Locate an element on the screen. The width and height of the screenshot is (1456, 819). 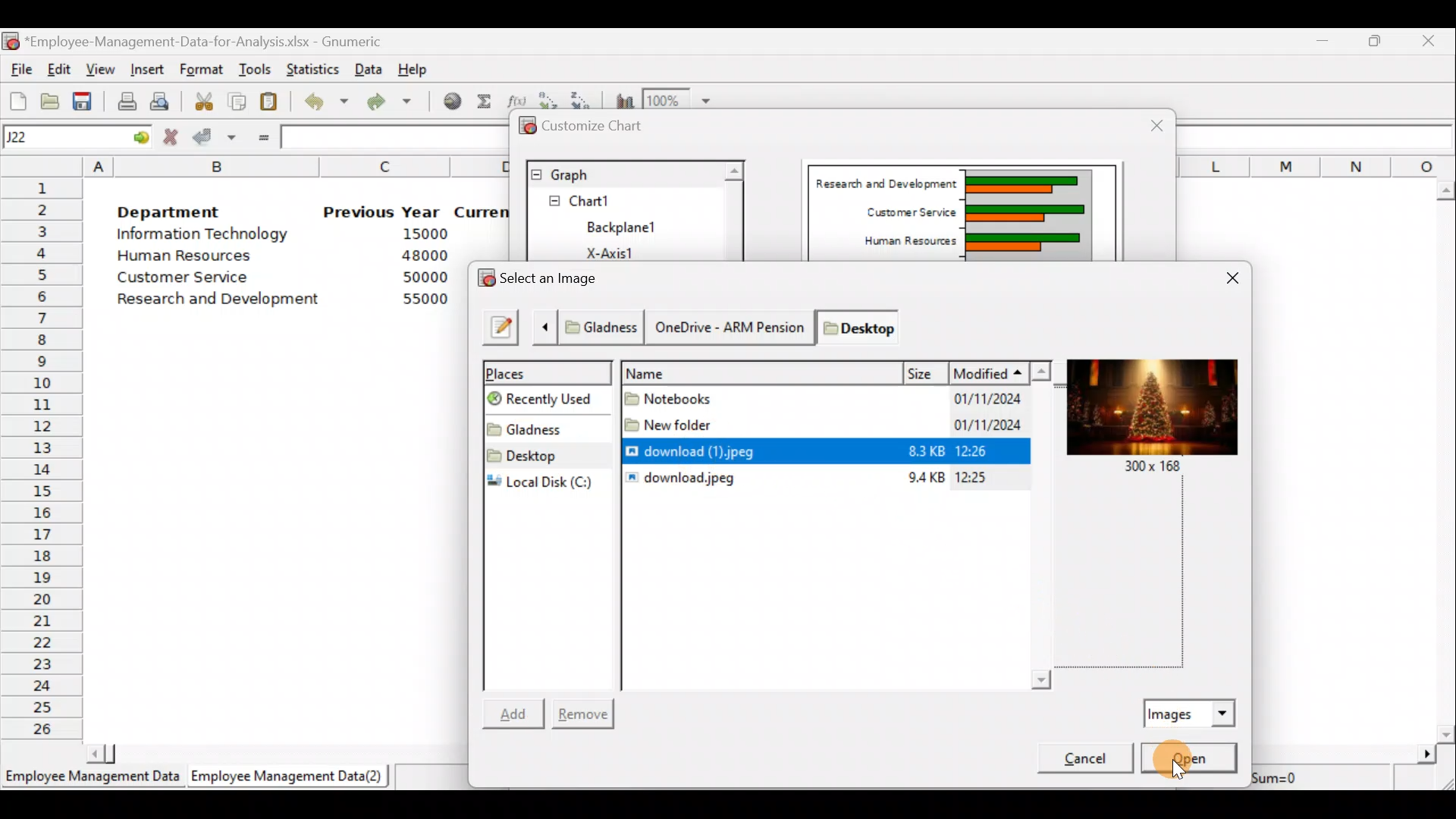
Local disk is located at coordinates (548, 482).